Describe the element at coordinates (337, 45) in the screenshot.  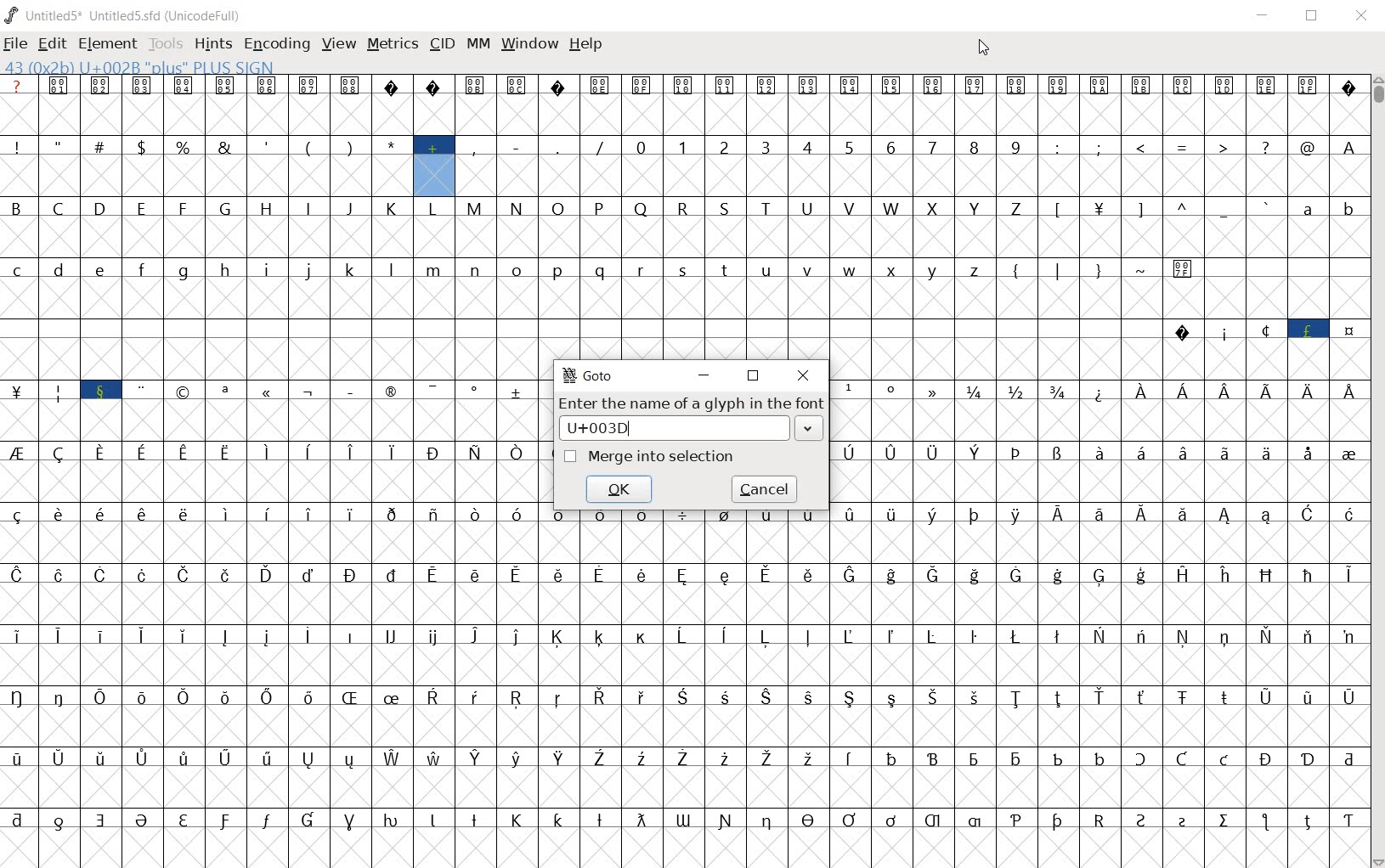
I see `view` at that location.